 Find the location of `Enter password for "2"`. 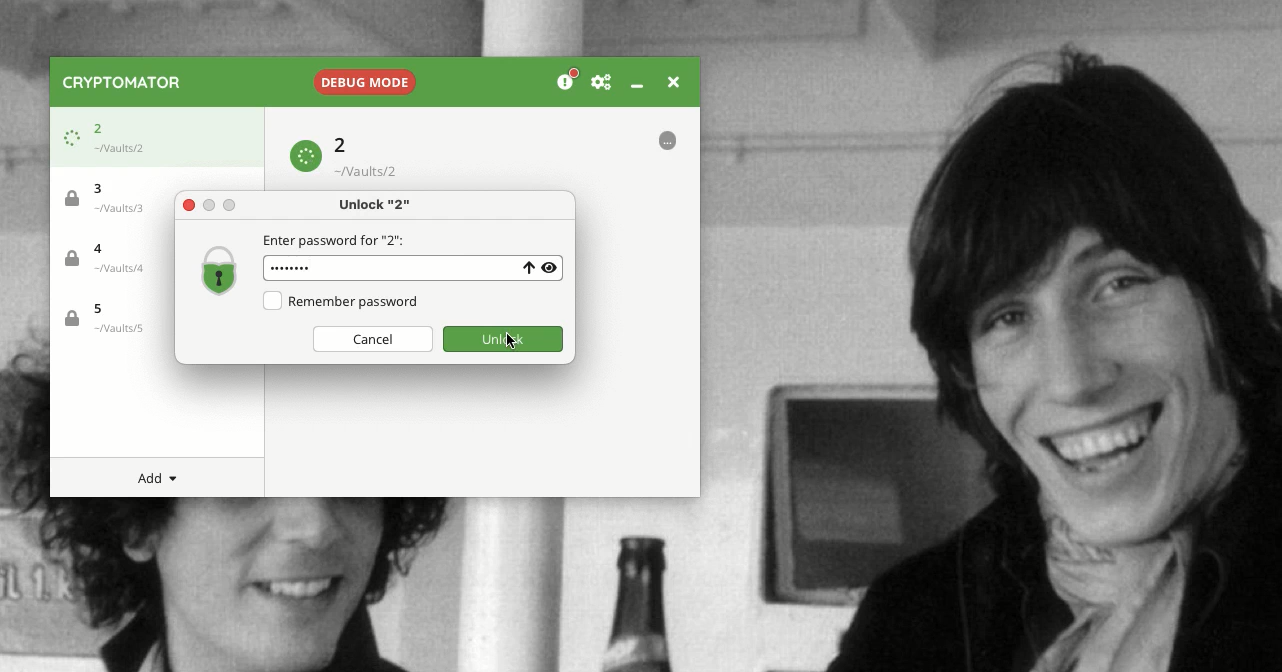

Enter password for "2" is located at coordinates (337, 239).